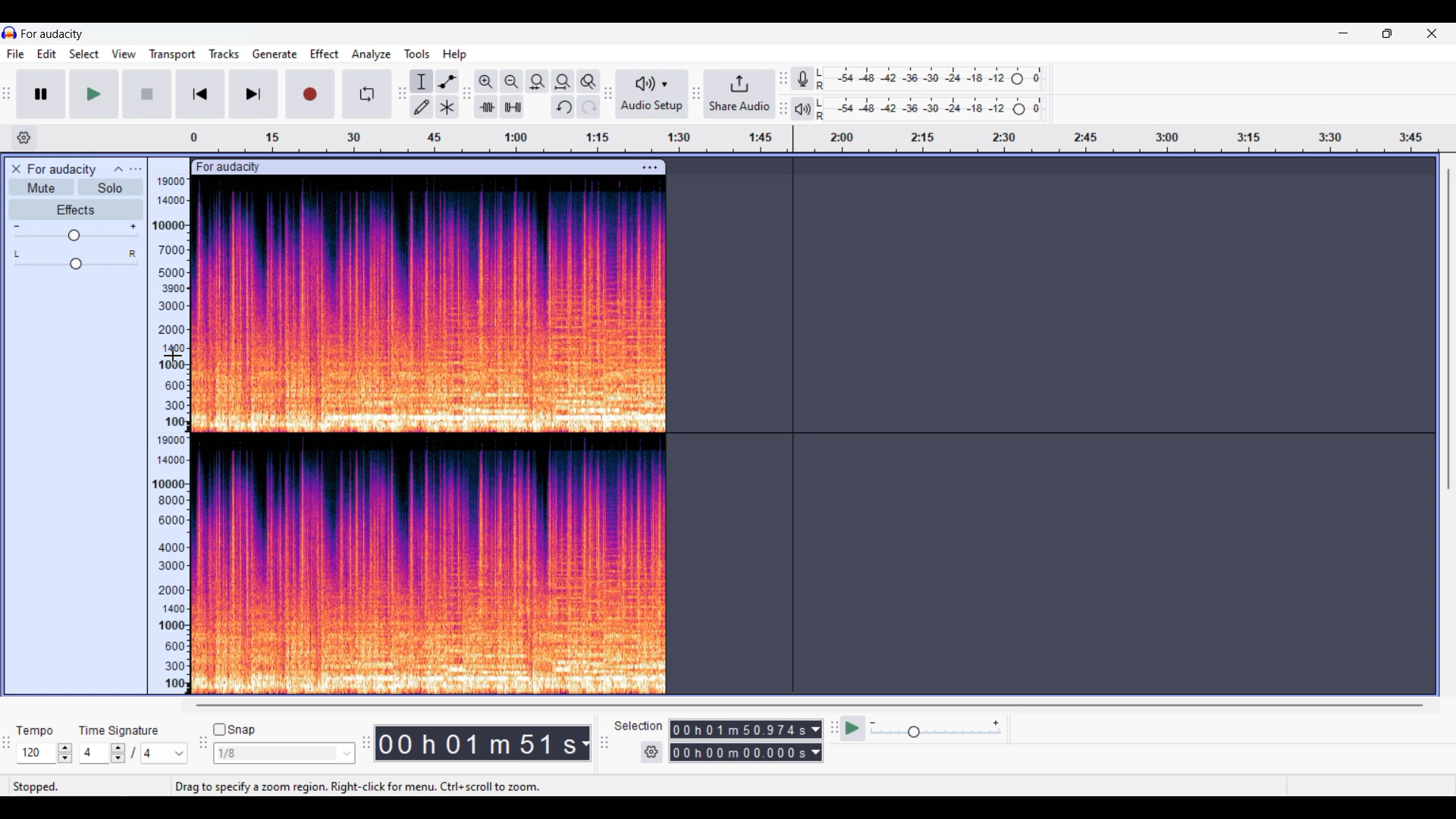 This screenshot has height=819, width=1456. What do you see at coordinates (563, 82) in the screenshot?
I see `Fit project to width` at bounding box center [563, 82].